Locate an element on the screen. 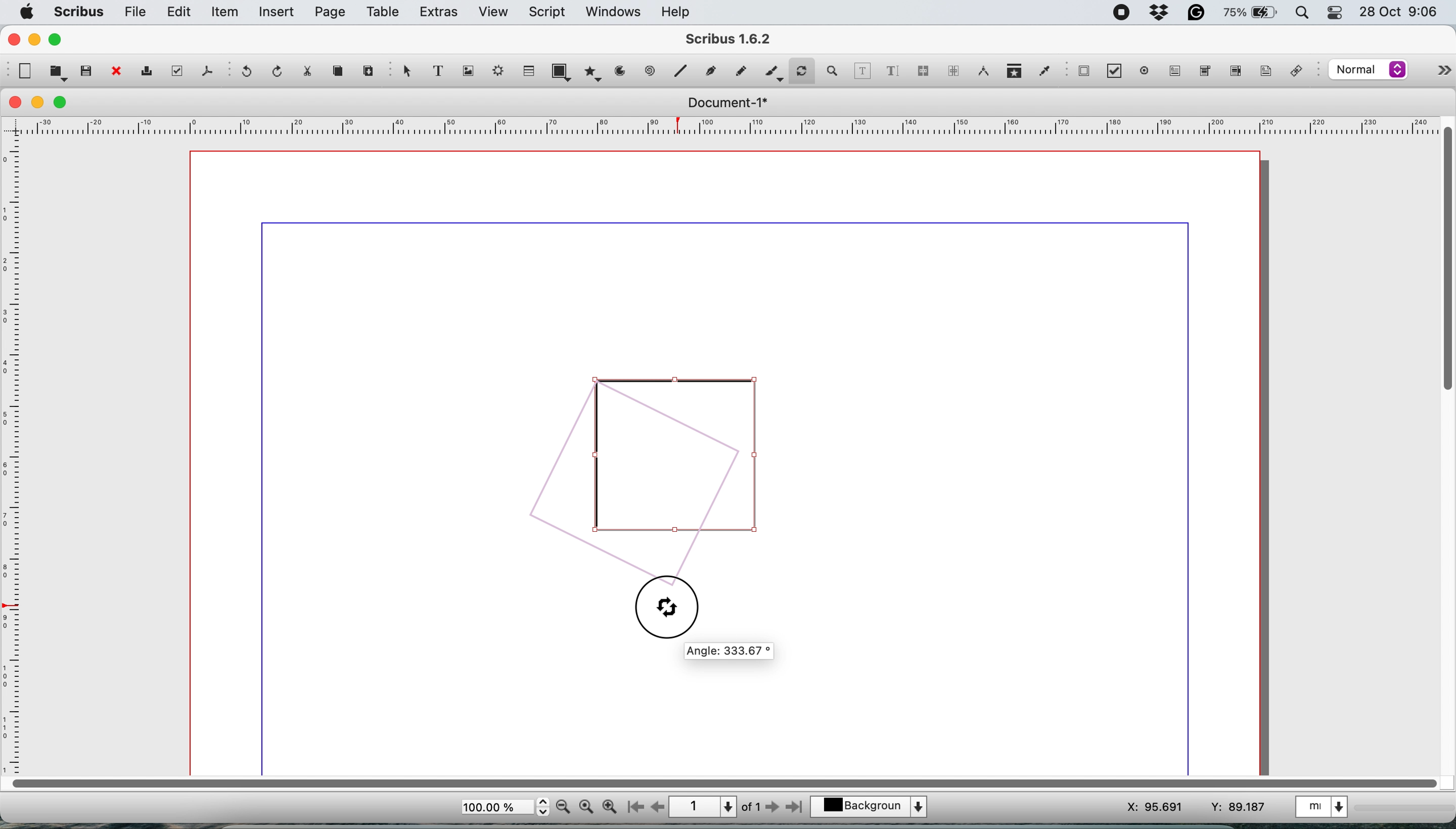  page 1 of 1 is located at coordinates (715, 806).